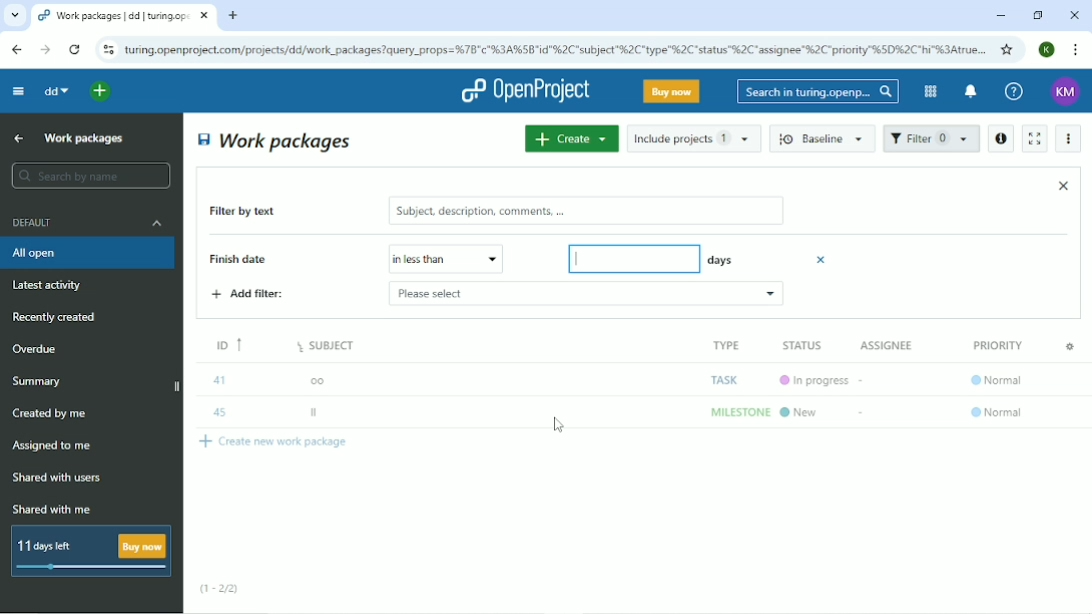  What do you see at coordinates (1000, 139) in the screenshot?
I see `Open details view` at bounding box center [1000, 139].